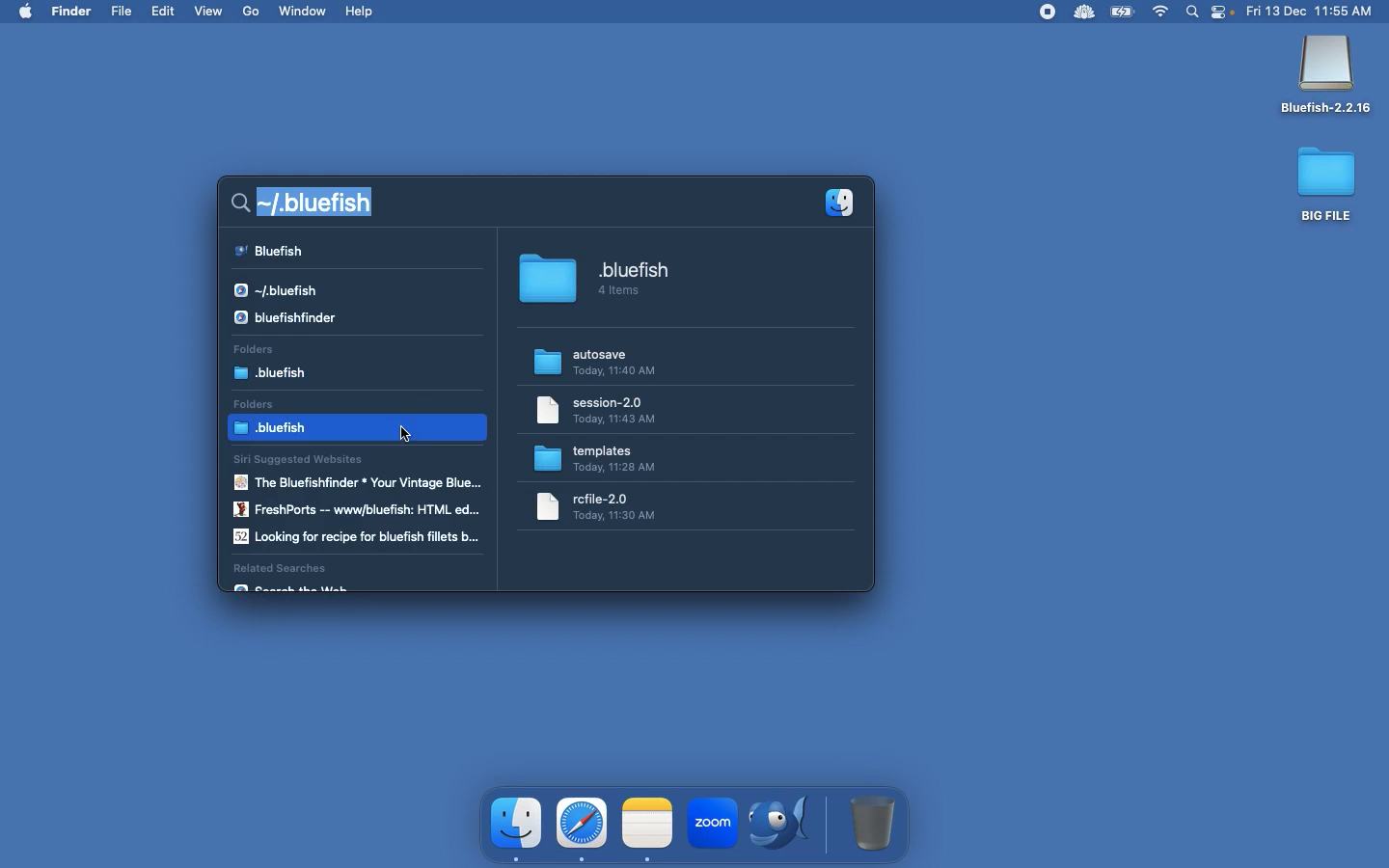 This screenshot has width=1389, height=868. Describe the element at coordinates (608, 365) in the screenshot. I see `Autosave` at that location.